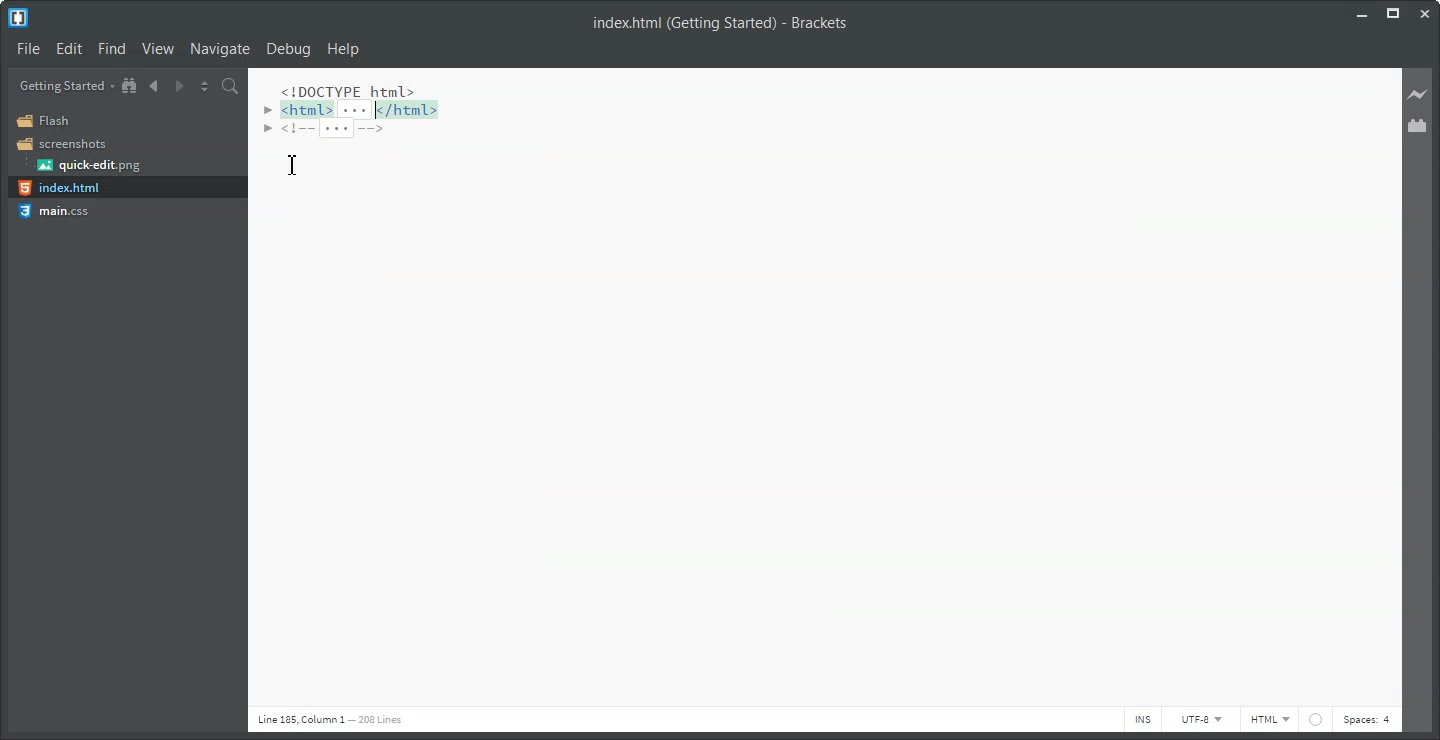 Image resolution: width=1440 pixels, height=740 pixels. I want to click on web, so click(1317, 722).